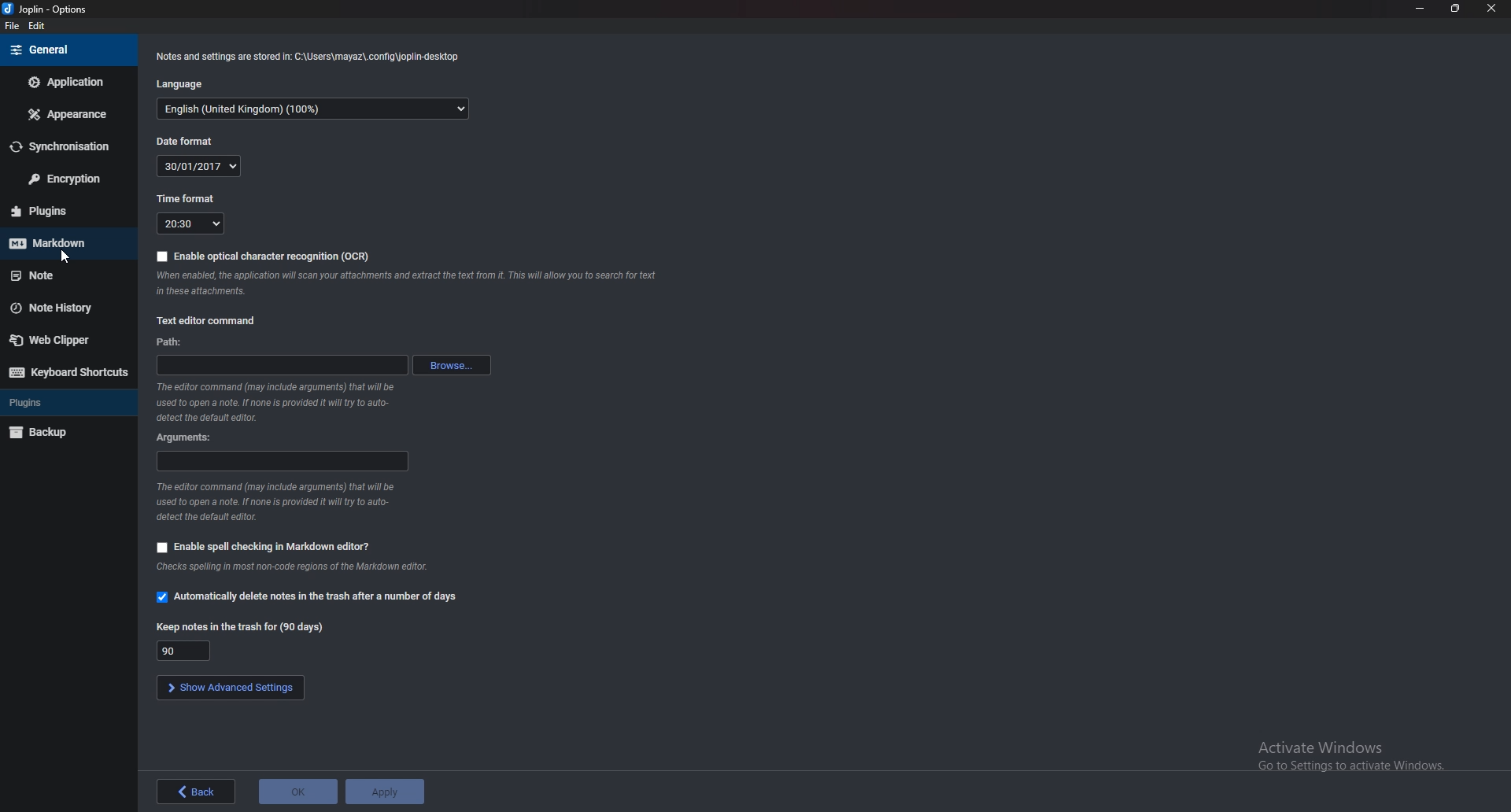 Image resolution: width=1511 pixels, height=812 pixels. What do you see at coordinates (66, 178) in the screenshot?
I see `encryption` at bounding box center [66, 178].